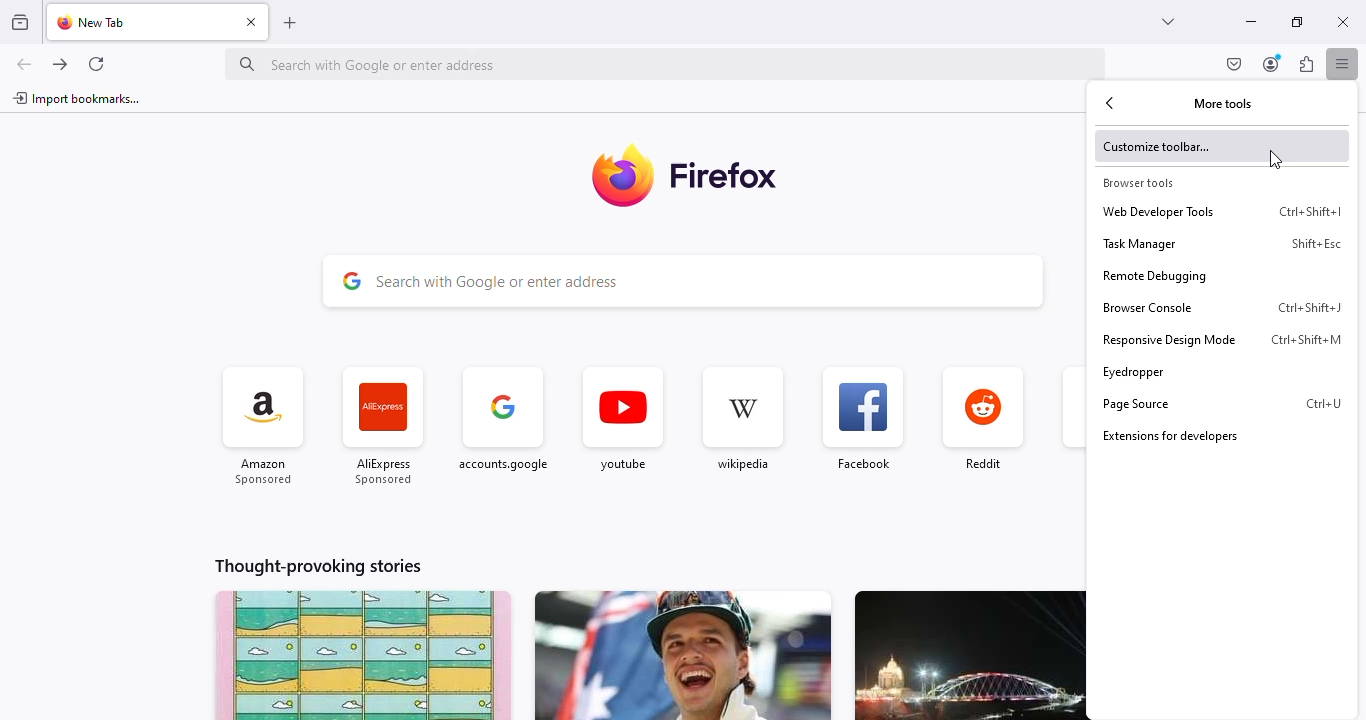 This screenshot has height=720, width=1366. Describe the element at coordinates (1221, 436) in the screenshot. I see `extensions for developers` at that location.